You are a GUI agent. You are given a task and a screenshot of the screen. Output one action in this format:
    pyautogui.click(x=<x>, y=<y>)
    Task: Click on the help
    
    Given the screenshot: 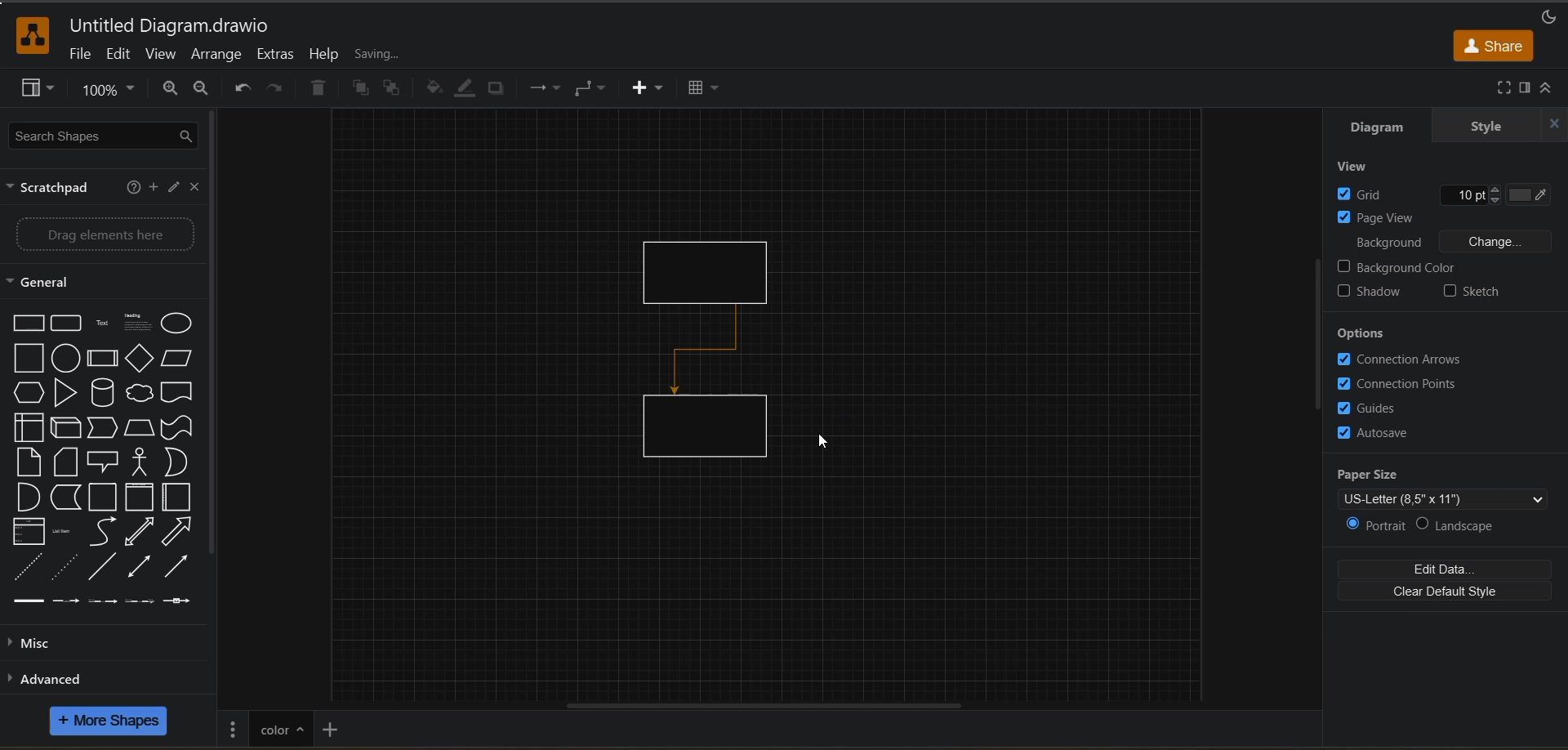 What is the action you would take?
    pyautogui.click(x=327, y=54)
    